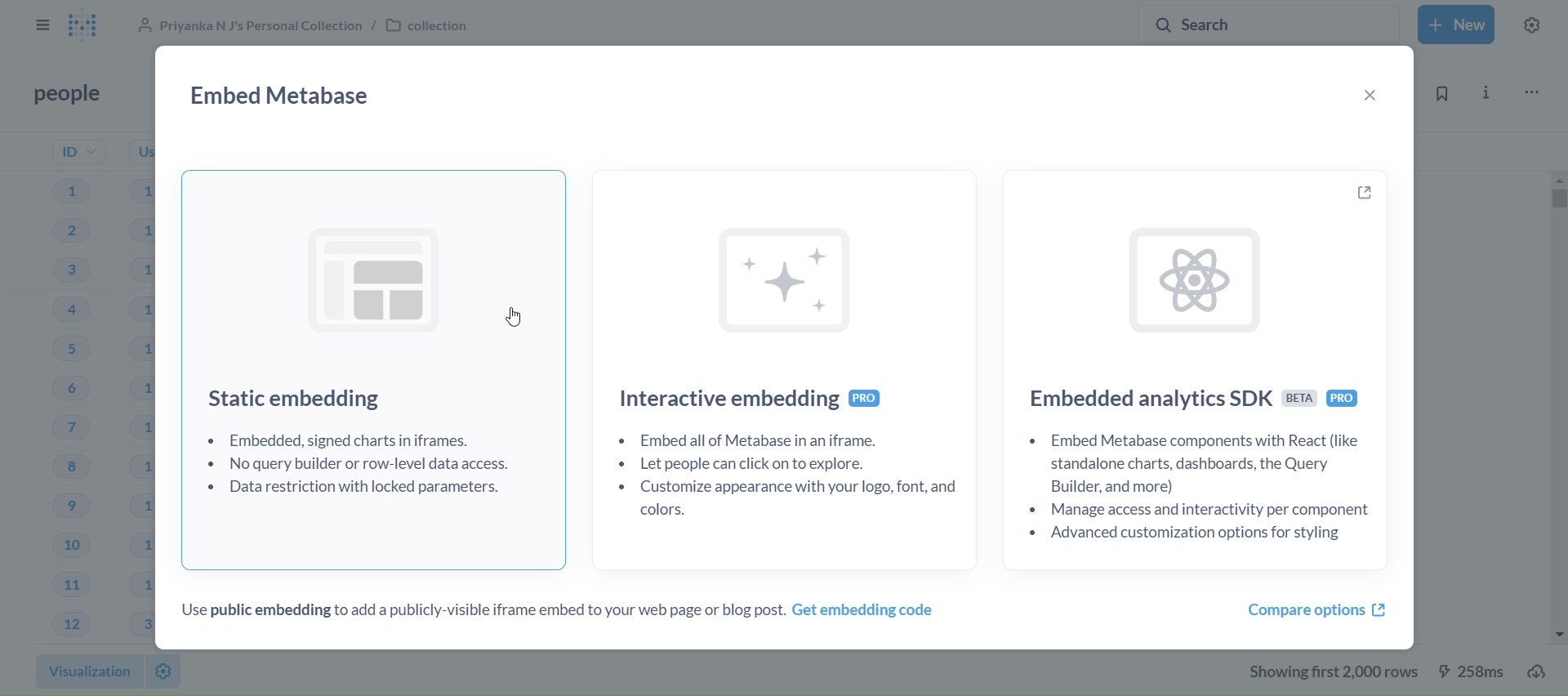 This screenshot has height=696, width=1568. What do you see at coordinates (513, 314) in the screenshot?
I see `cursor` at bounding box center [513, 314].